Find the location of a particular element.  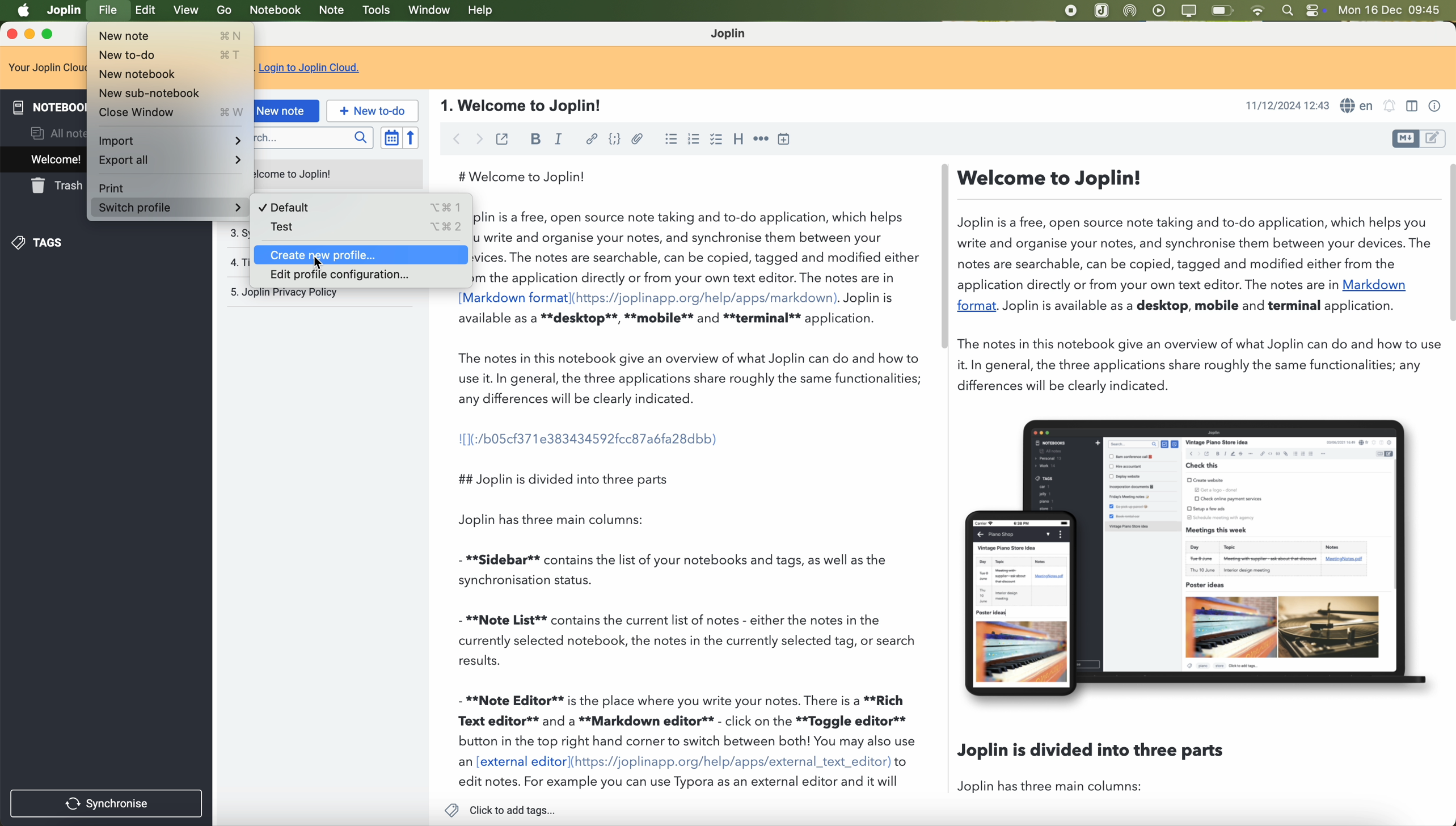

New sub-notebook is located at coordinates (170, 92).